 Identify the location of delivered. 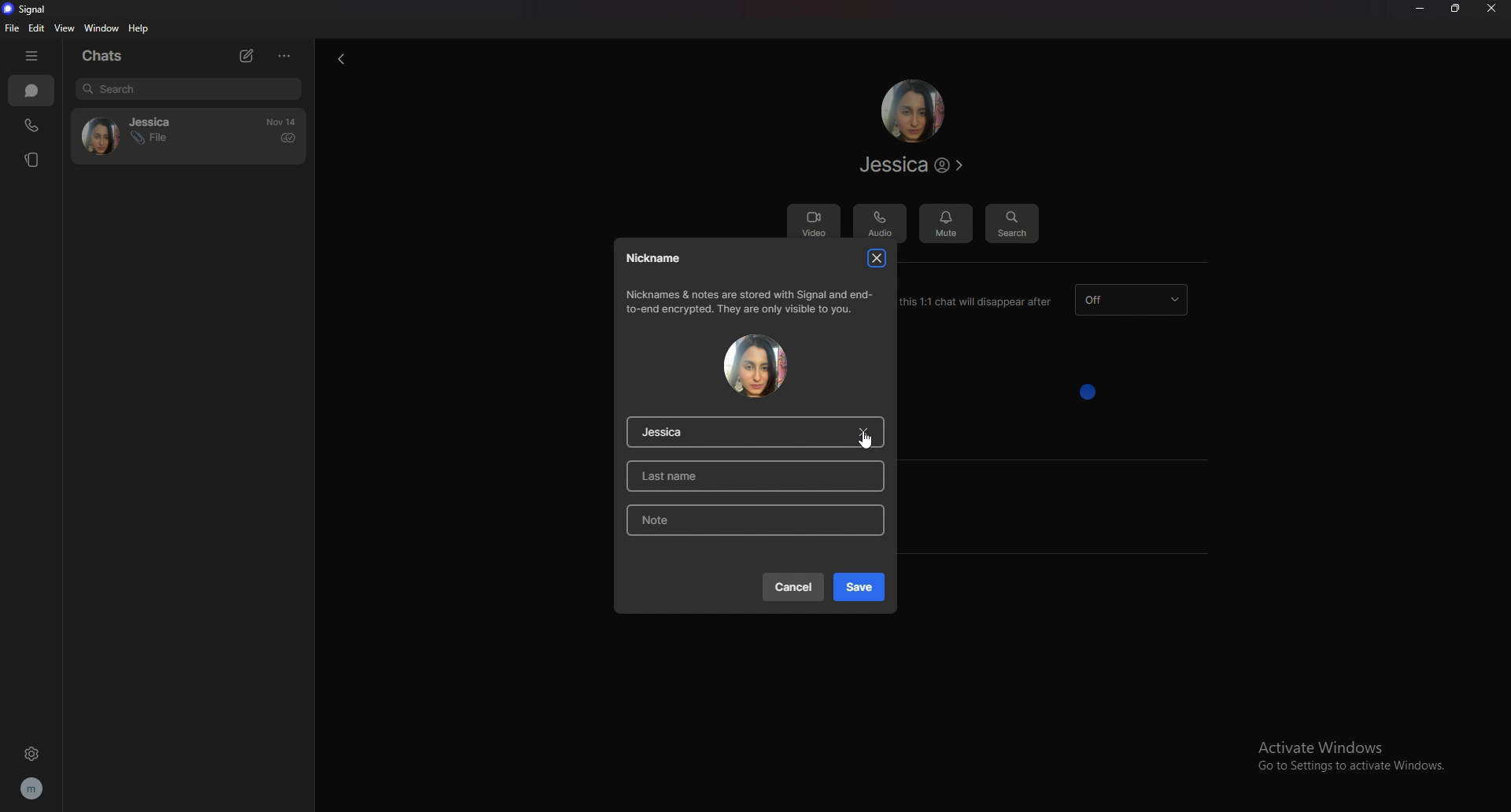
(288, 138).